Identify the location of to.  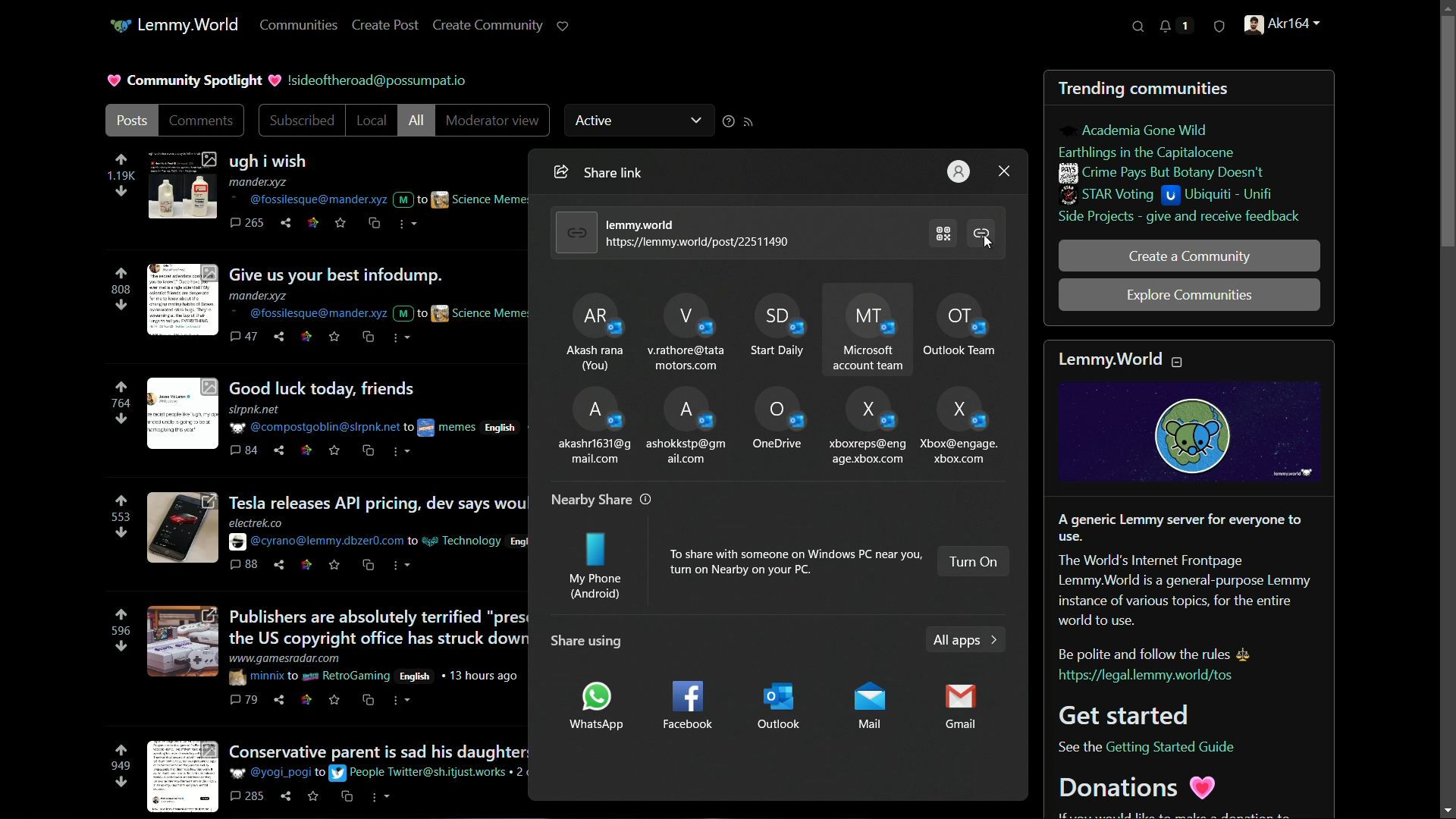
(413, 542).